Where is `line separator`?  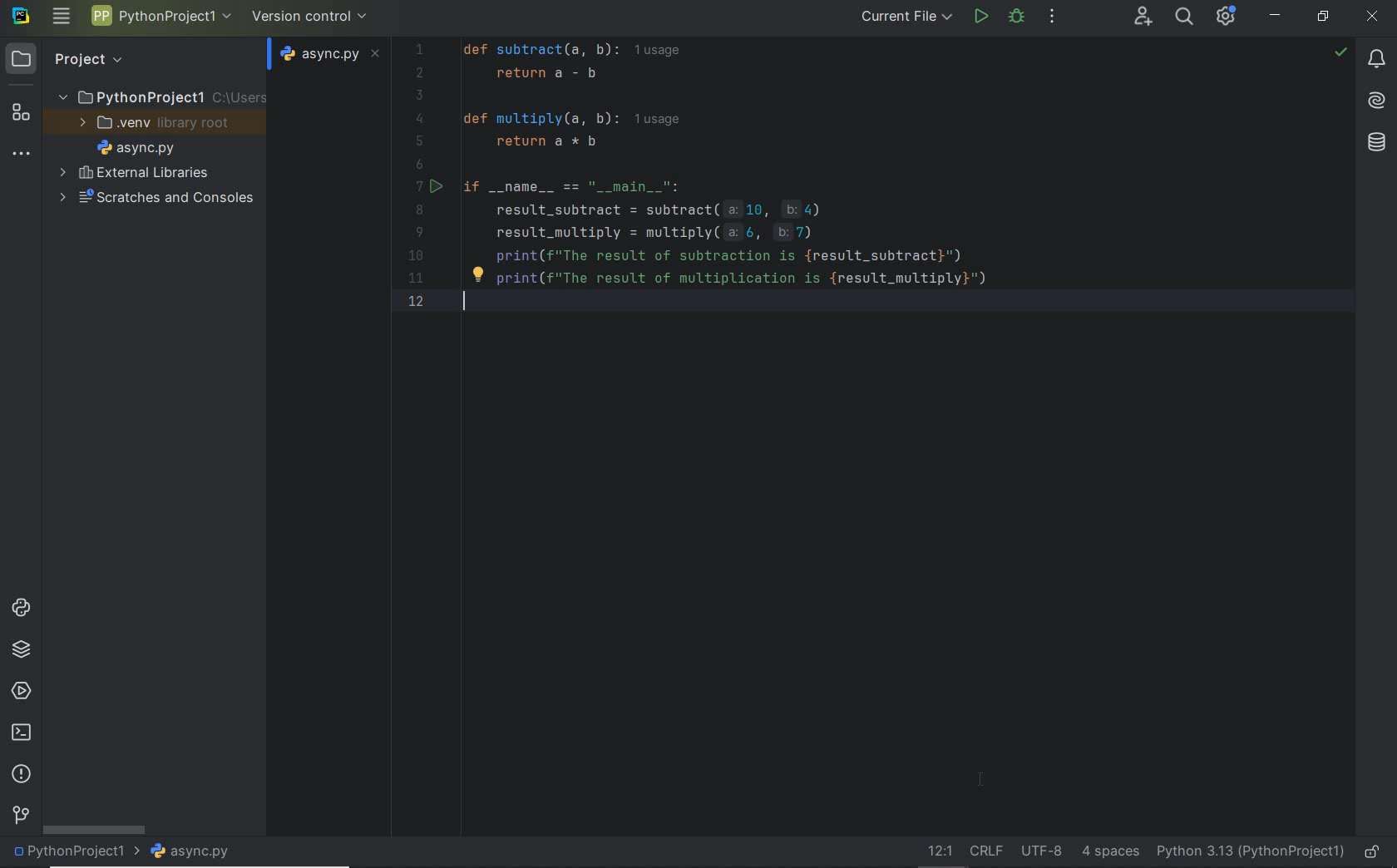 line separator is located at coordinates (983, 849).